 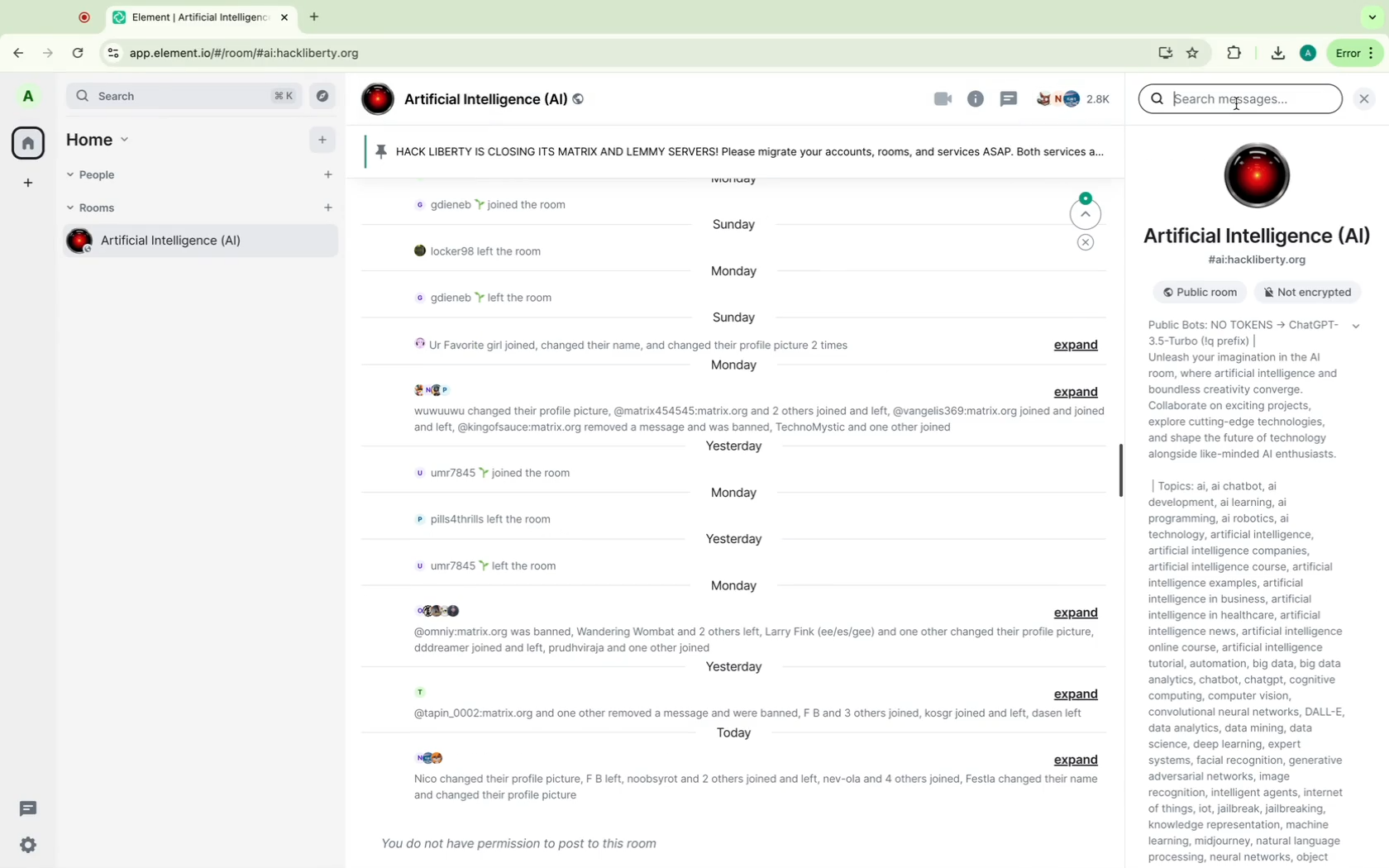 I want to click on day, so click(x=736, y=225).